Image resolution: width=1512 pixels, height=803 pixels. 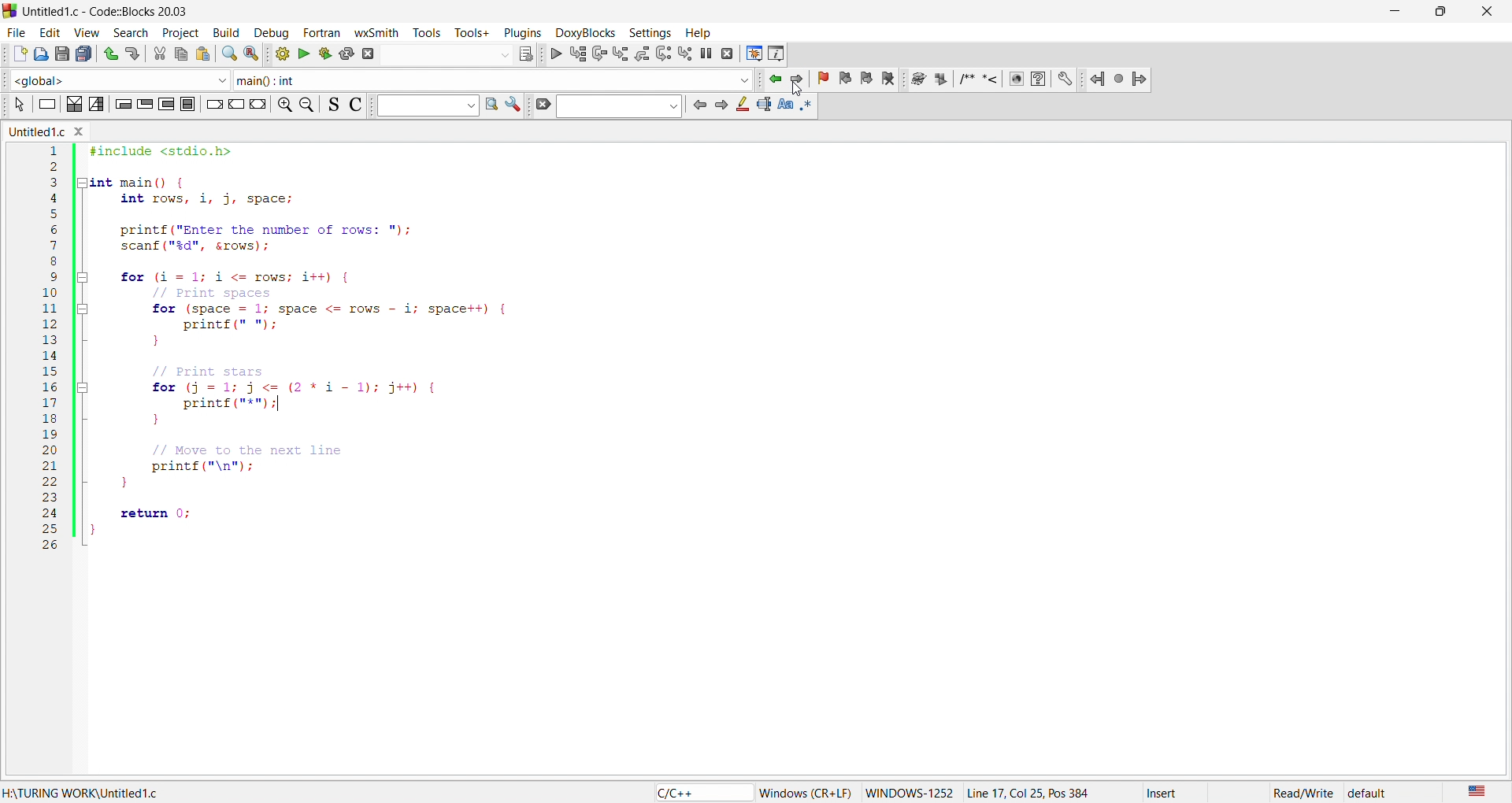 What do you see at coordinates (212, 103) in the screenshot?
I see `icon` at bounding box center [212, 103].